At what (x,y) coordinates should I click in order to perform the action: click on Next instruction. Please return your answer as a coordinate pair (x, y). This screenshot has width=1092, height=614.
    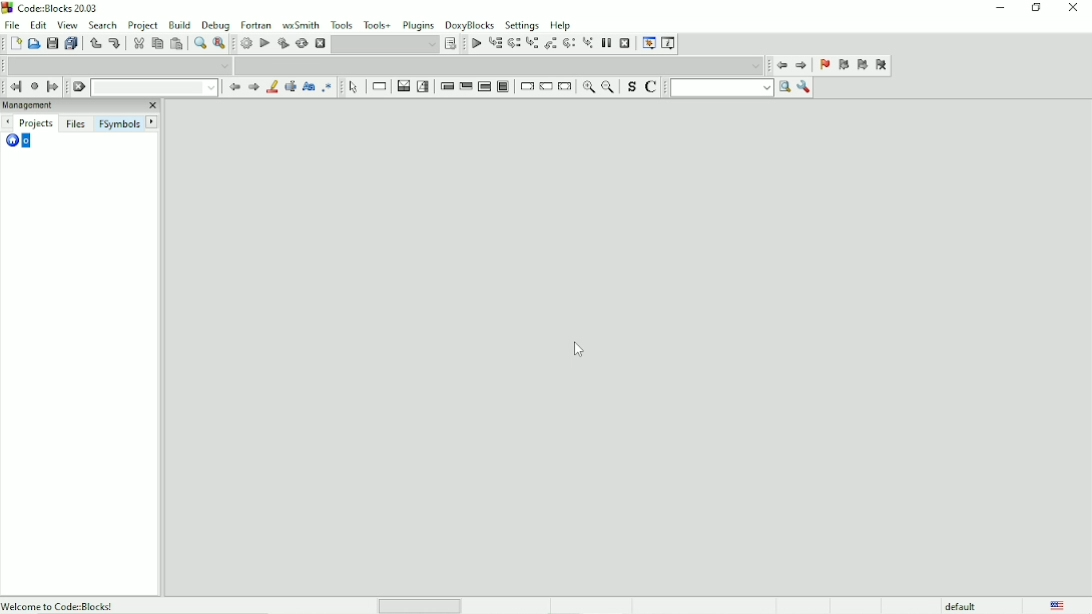
    Looking at the image, I should click on (569, 44).